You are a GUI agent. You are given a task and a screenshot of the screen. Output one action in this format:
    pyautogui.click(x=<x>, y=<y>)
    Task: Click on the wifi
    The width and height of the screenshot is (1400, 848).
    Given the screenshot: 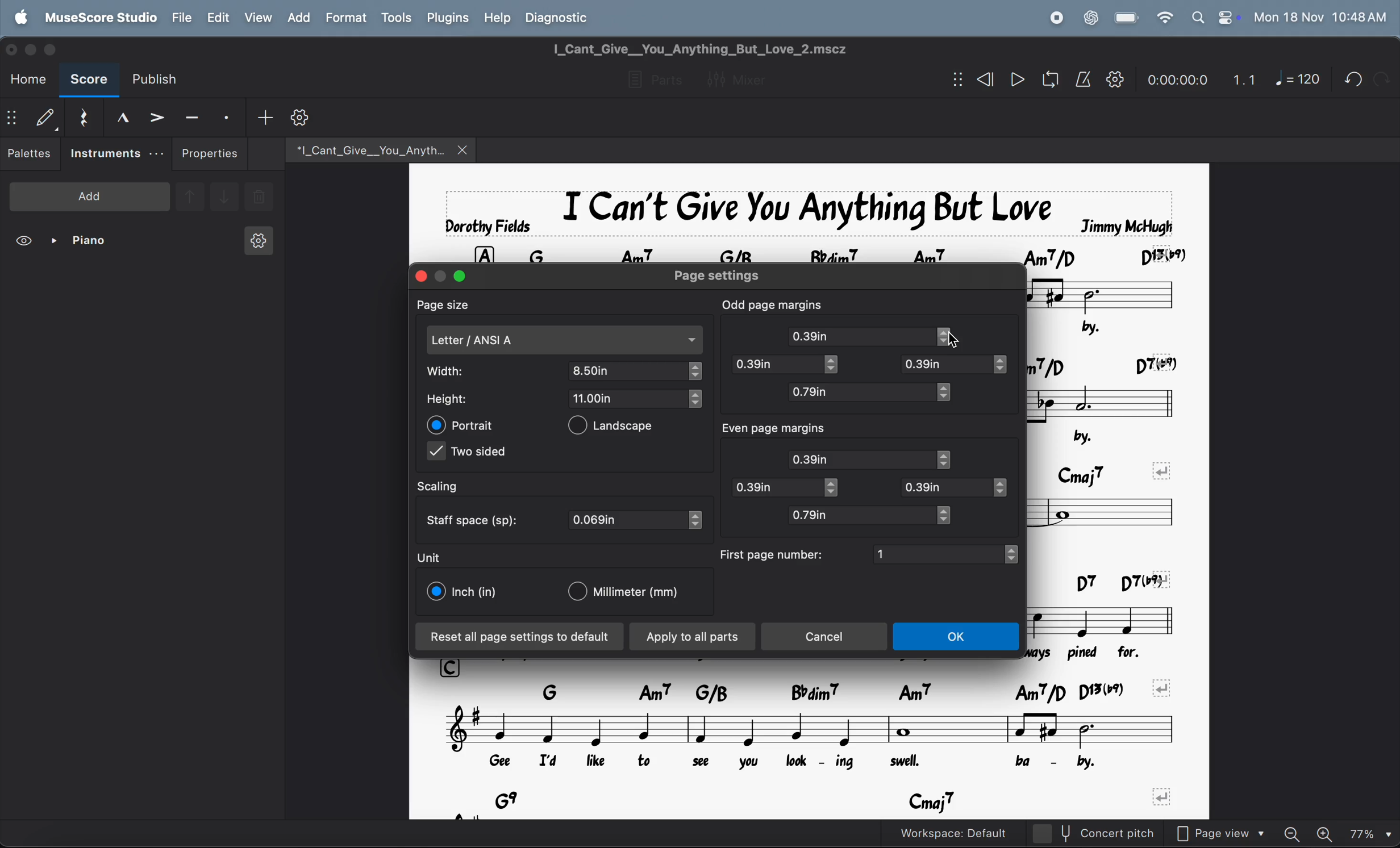 What is the action you would take?
    pyautogui.click(x=1163, y=18)
    